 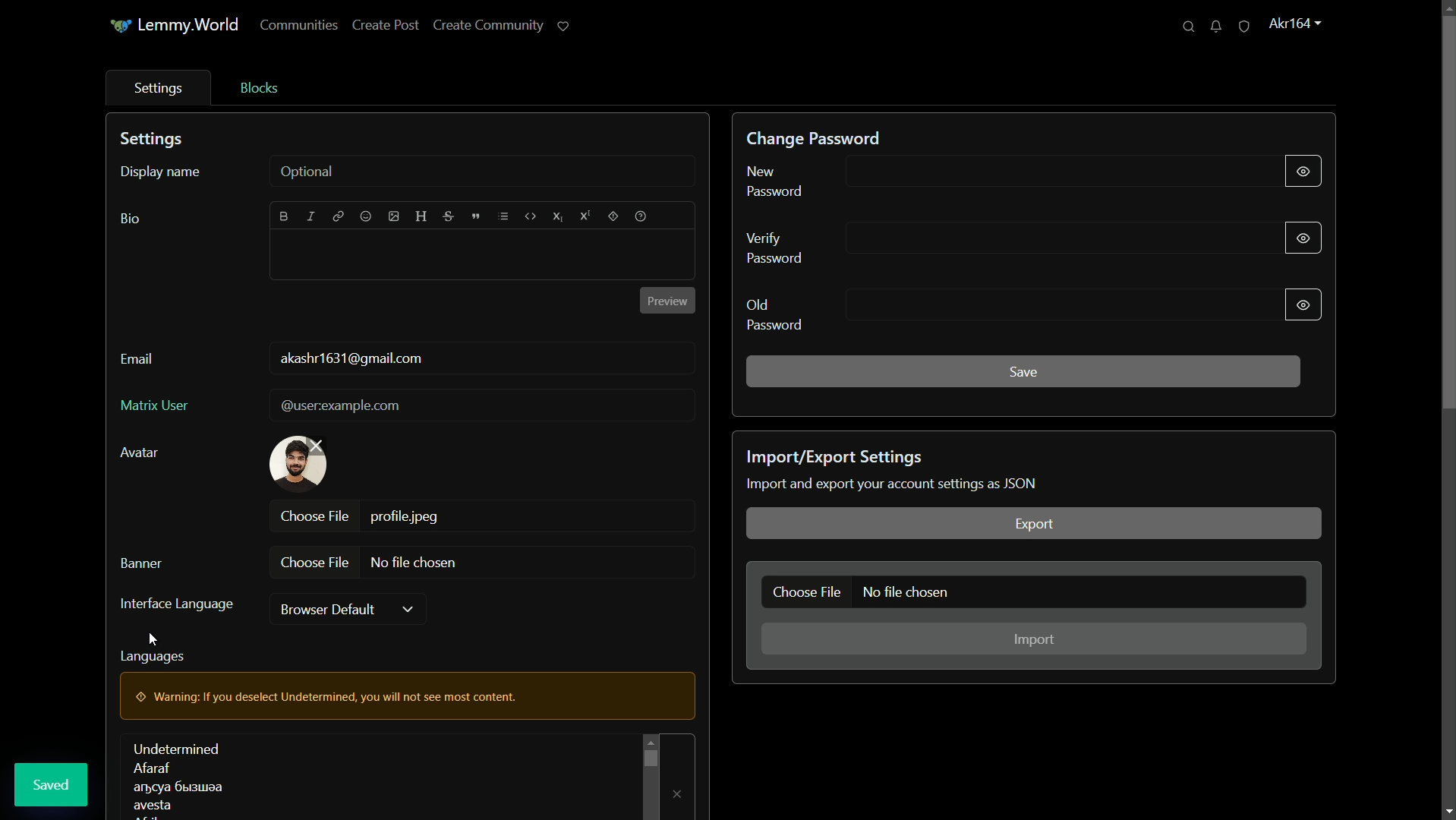 I want to click on scroll bar, so click(x=649, y=757).